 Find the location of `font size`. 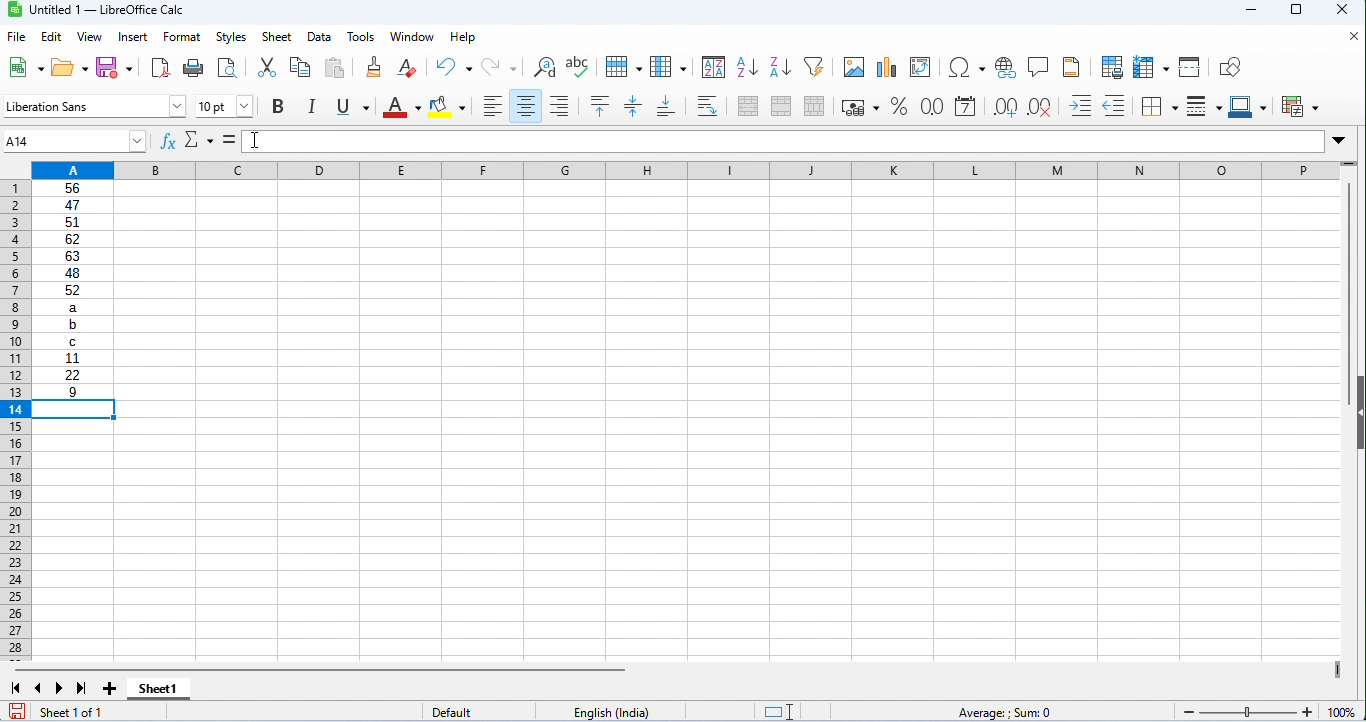

font size is located at coordinates (225, 106).